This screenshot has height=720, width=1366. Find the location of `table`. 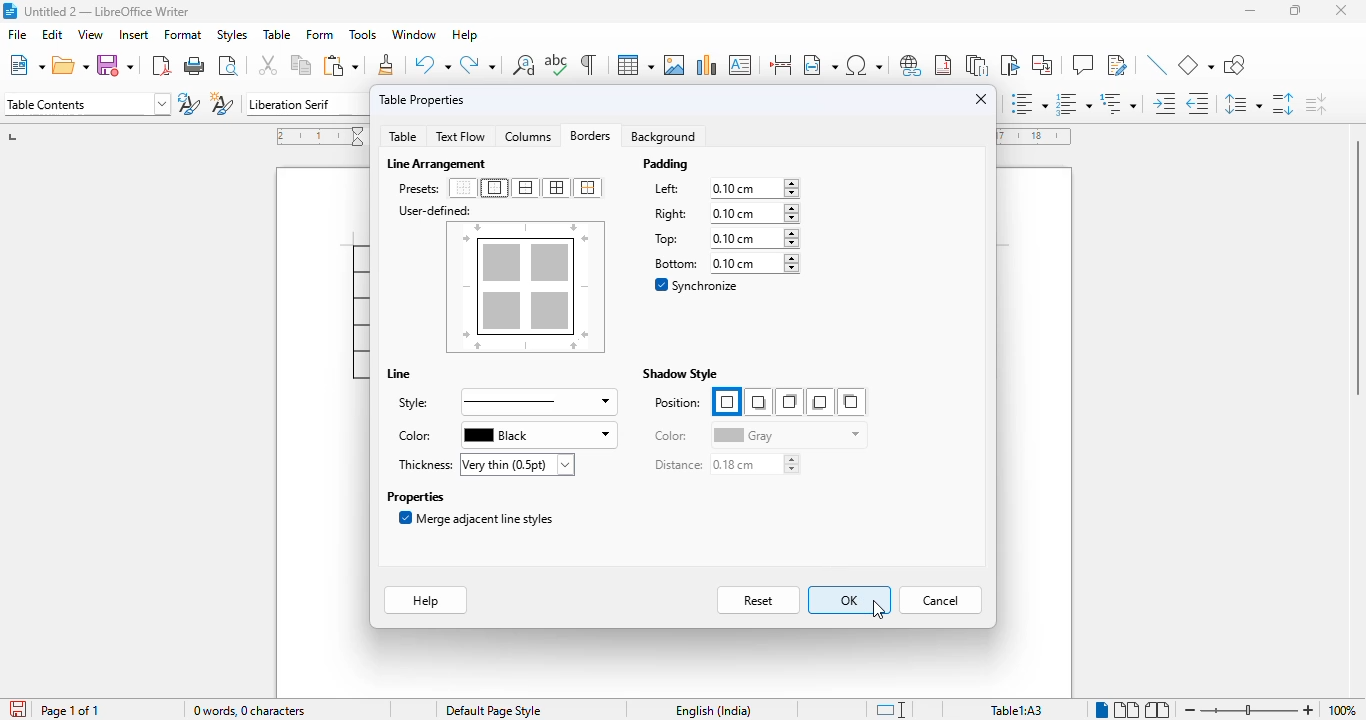

table is located at coordinates (635, 65).